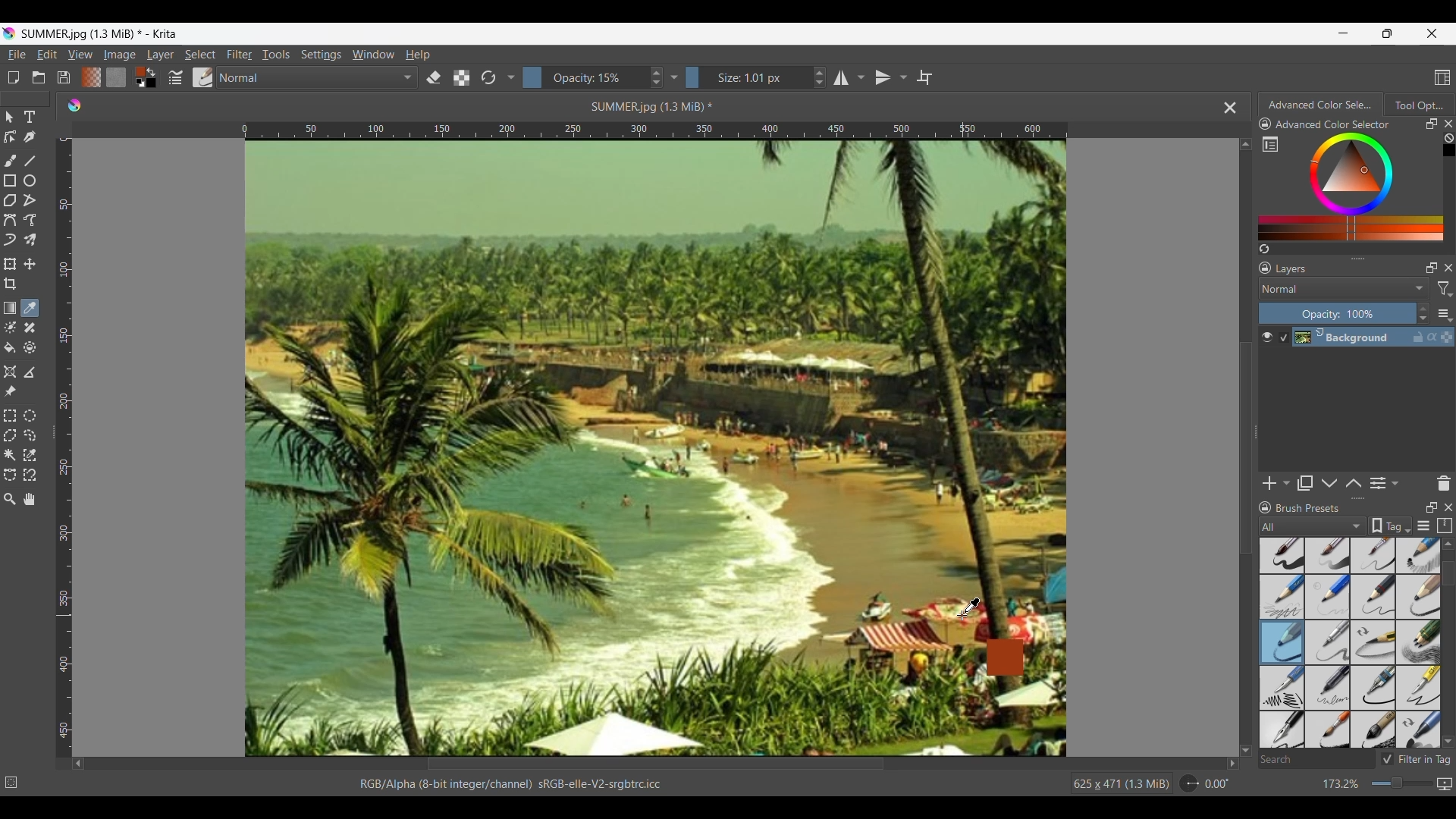  What do you see at coordinates (318, 77) in the screenshot?
I see `Normal` at bounding box center [318, 77].